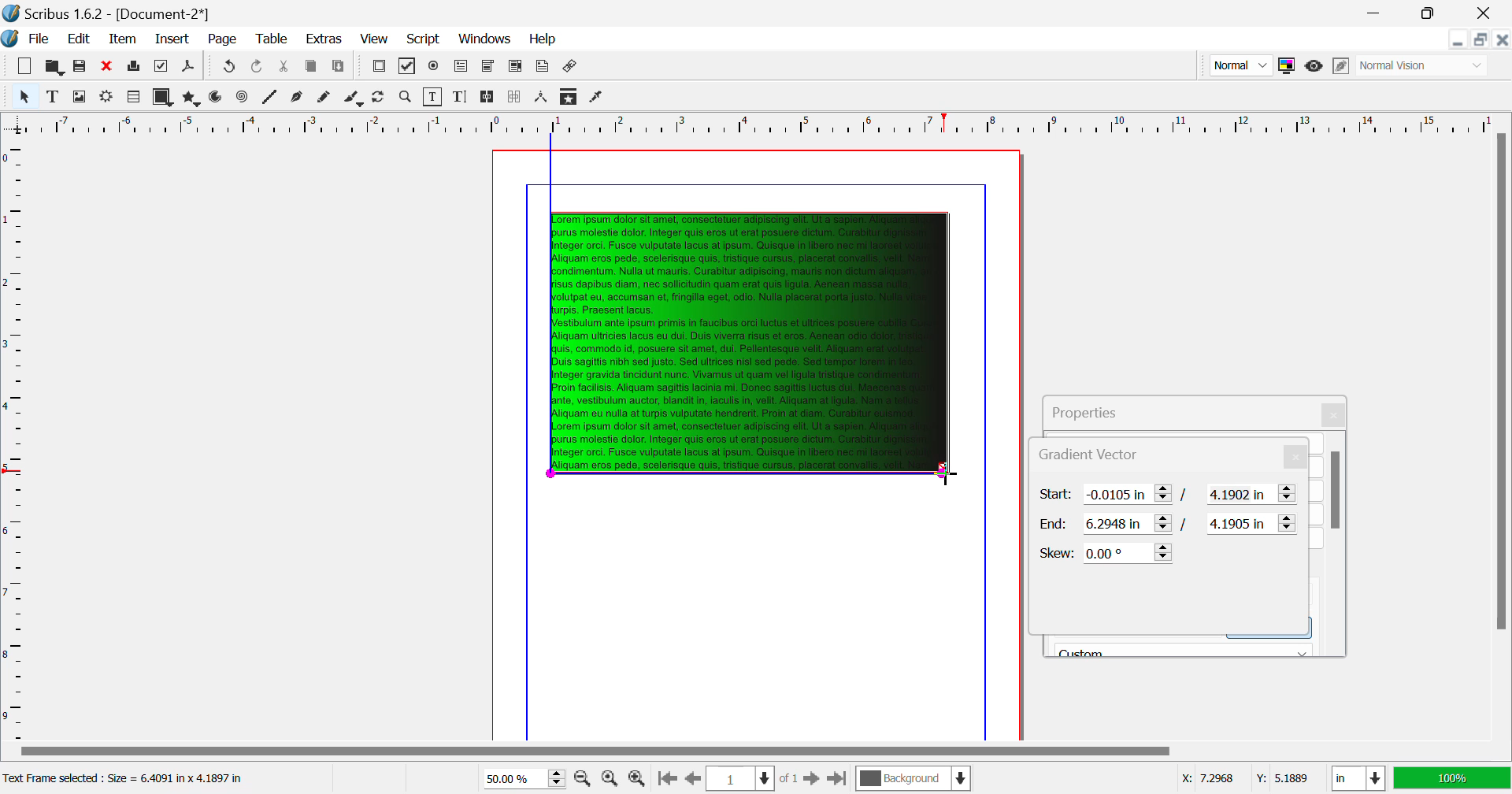 This screenshot has width=1512, height=794. Describe the element at coordinates (780, 123) in the screenshot. I see `Vertical Page Margin` at that location.